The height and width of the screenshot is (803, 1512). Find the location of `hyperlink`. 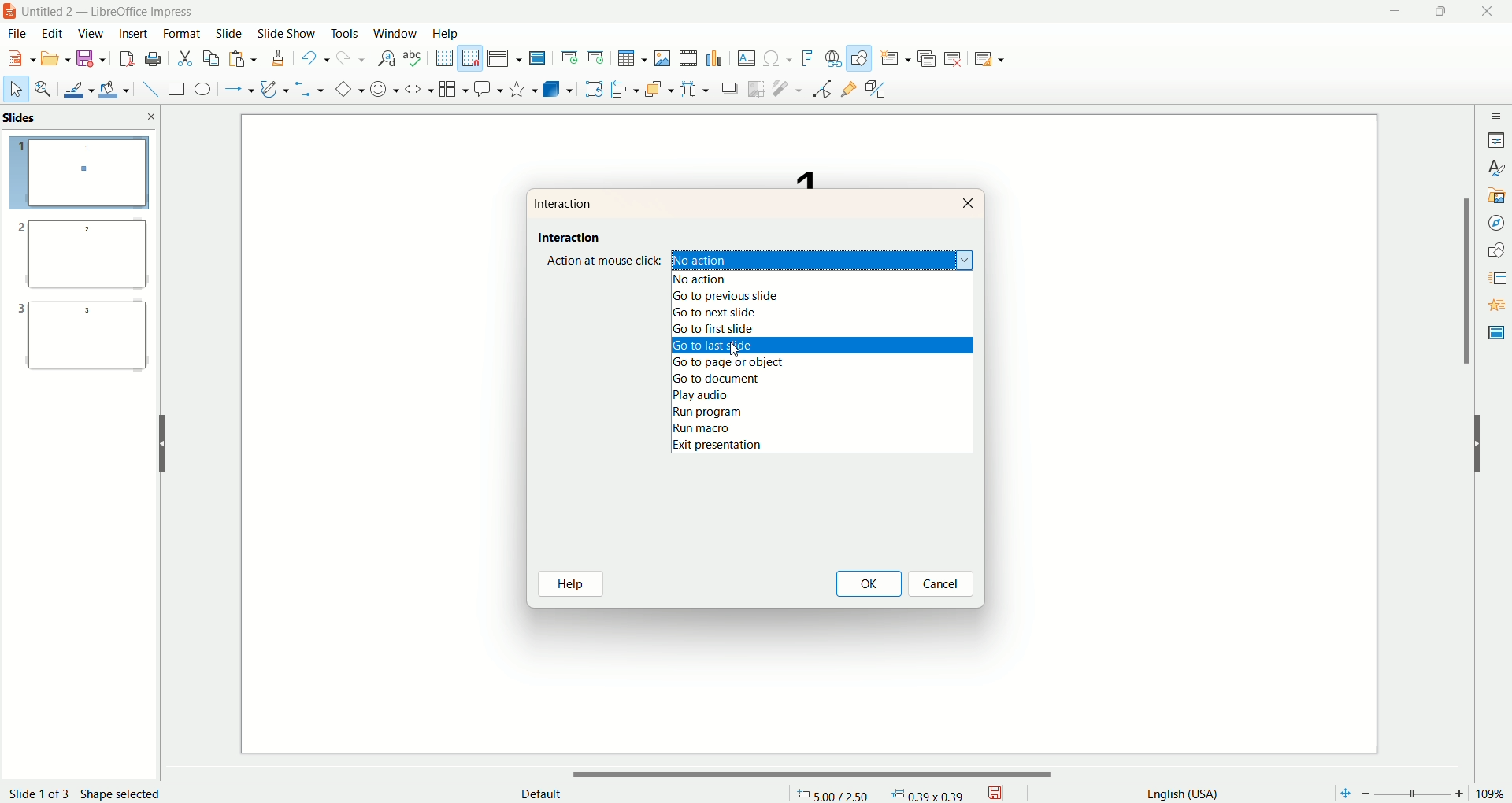

hyperlink is located at coordinates (830, 59).